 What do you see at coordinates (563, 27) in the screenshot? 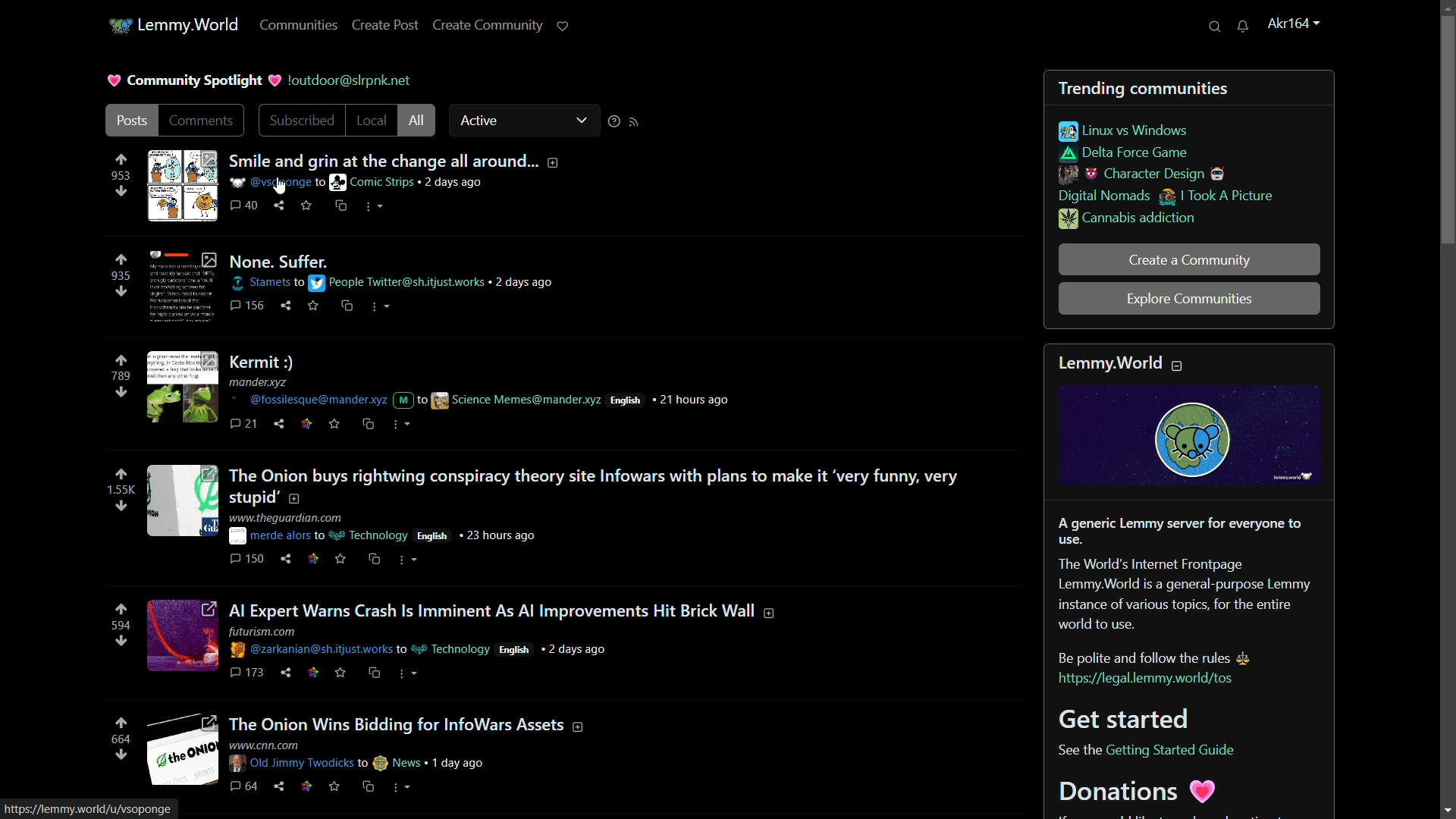
I see `support lemmy.world` at bounding box center [563, 27].